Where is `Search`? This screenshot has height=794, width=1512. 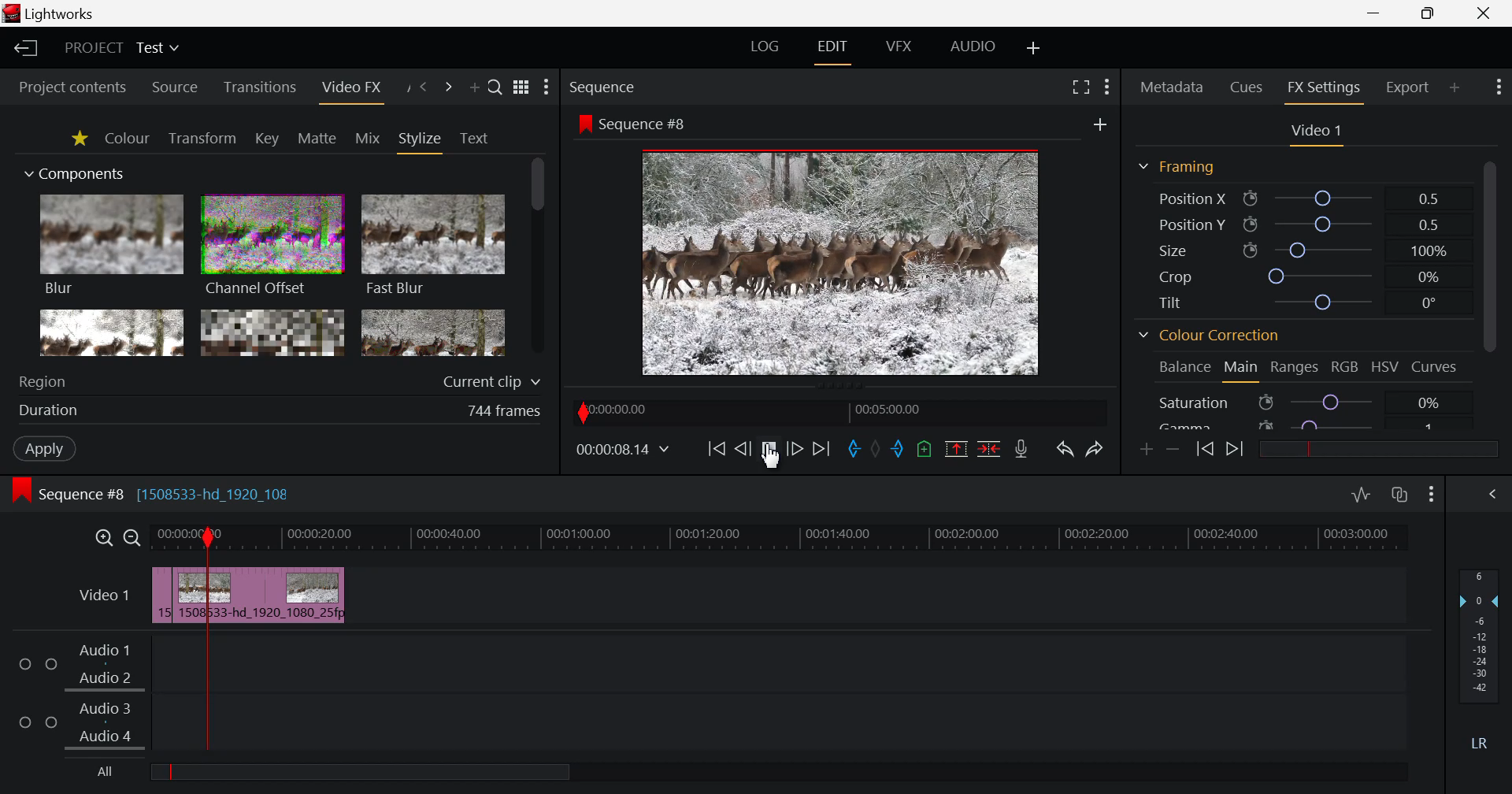 Search is located at coordinates (496, 88).